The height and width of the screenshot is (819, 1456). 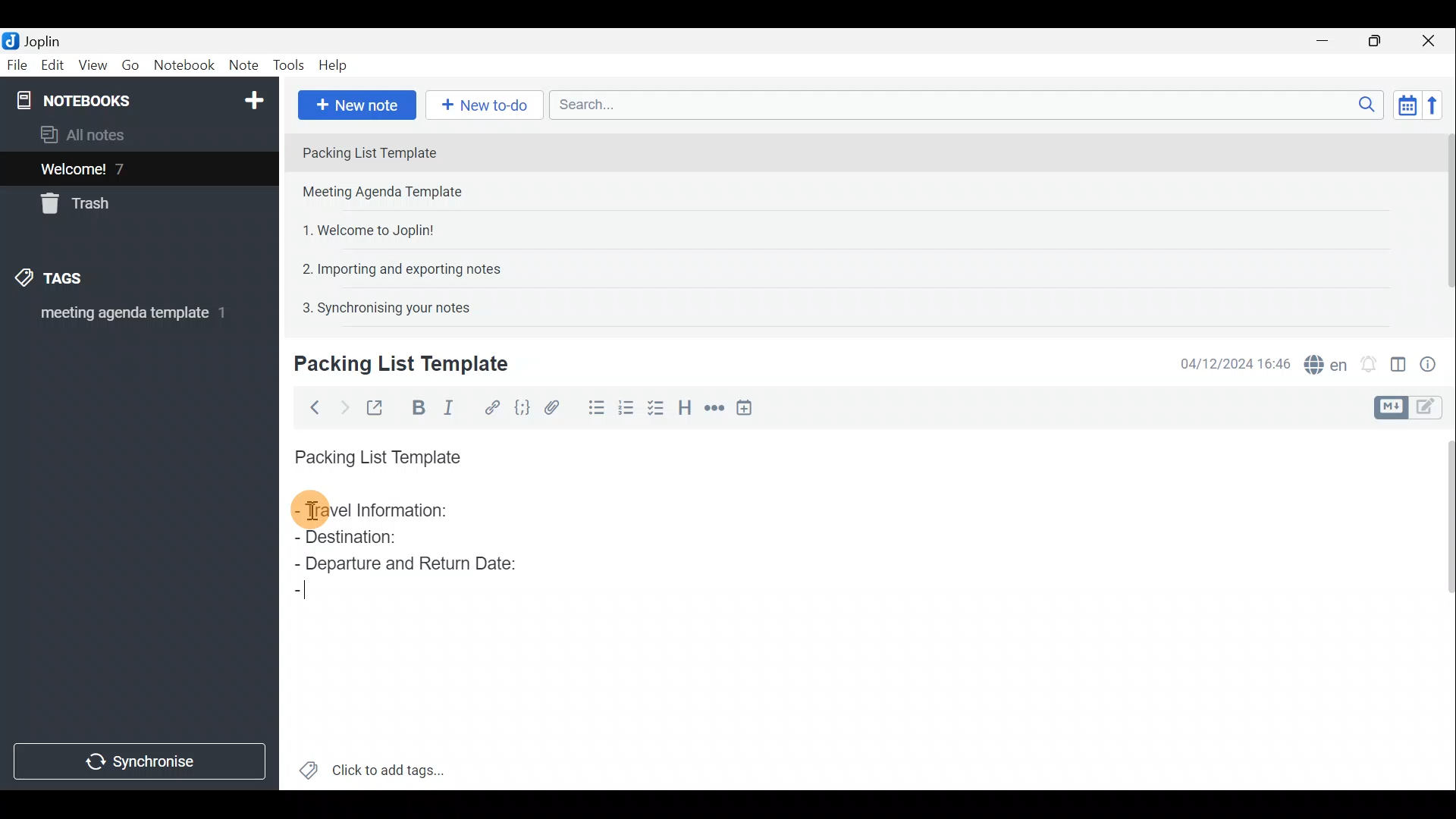 What do you see at coordinates (593, 410) in the screenshot?
I see `Bulleted list` at bounding box center [593, 410].